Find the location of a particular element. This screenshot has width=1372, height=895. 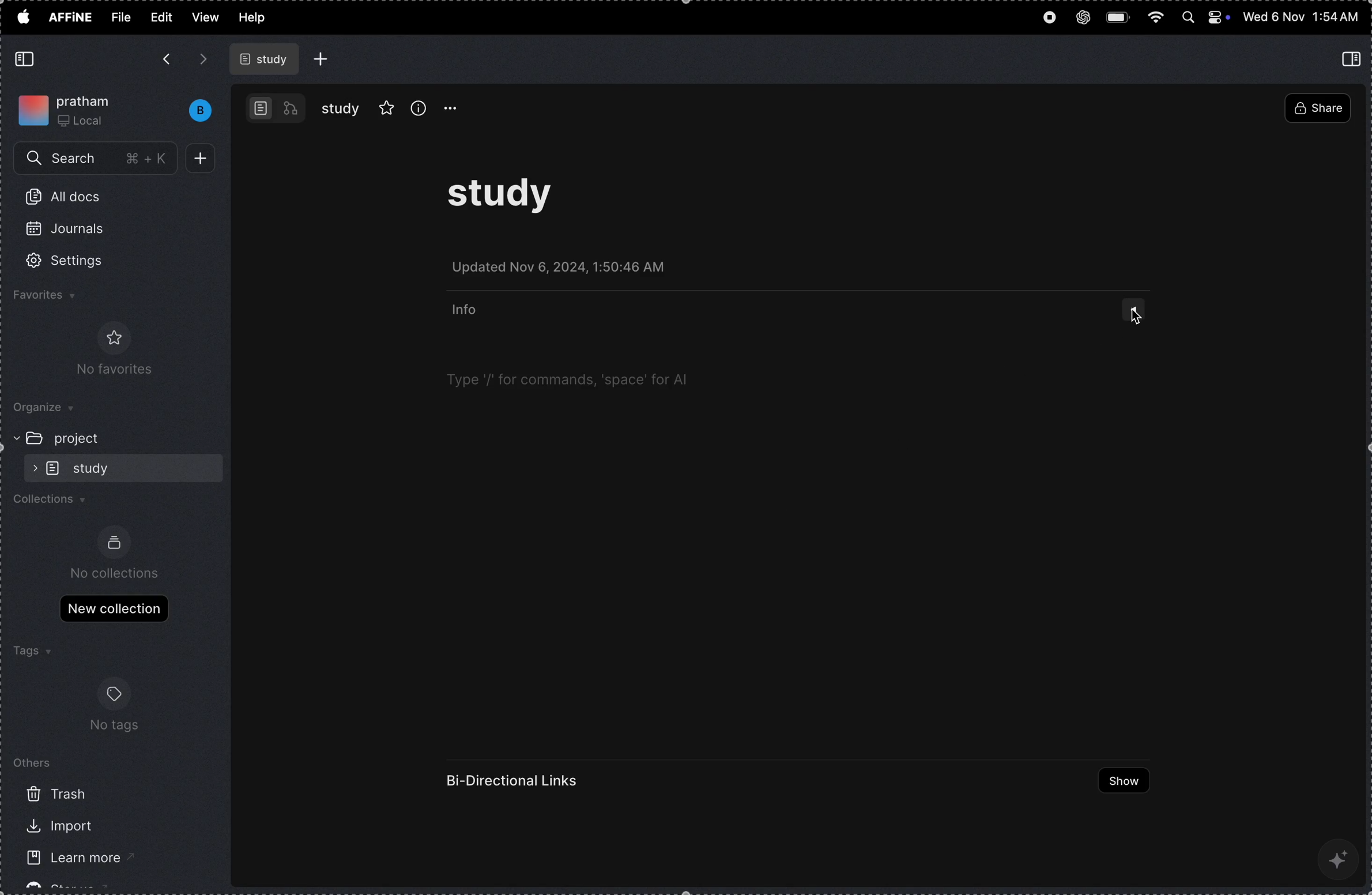

collections is located at coordinates (56, 502).